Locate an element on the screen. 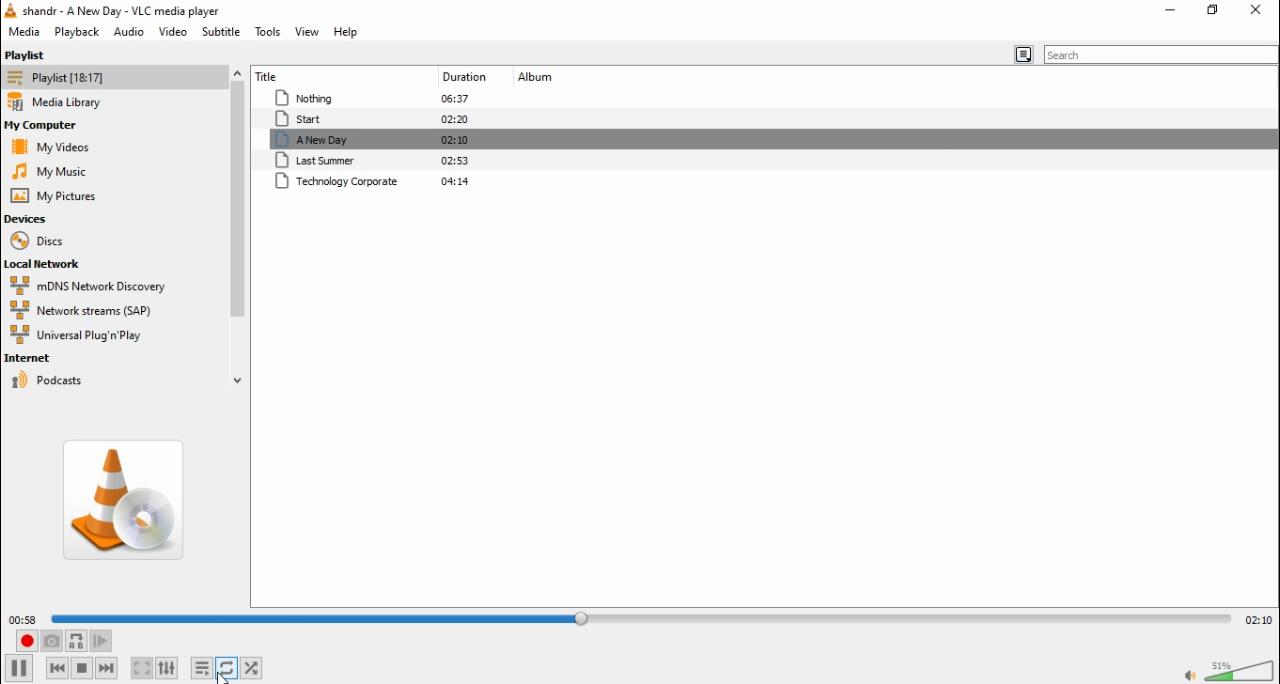 This screenshot has height=684, width=1280. previous media in playlist, skips backward when held is located at coordinates (57, 667).